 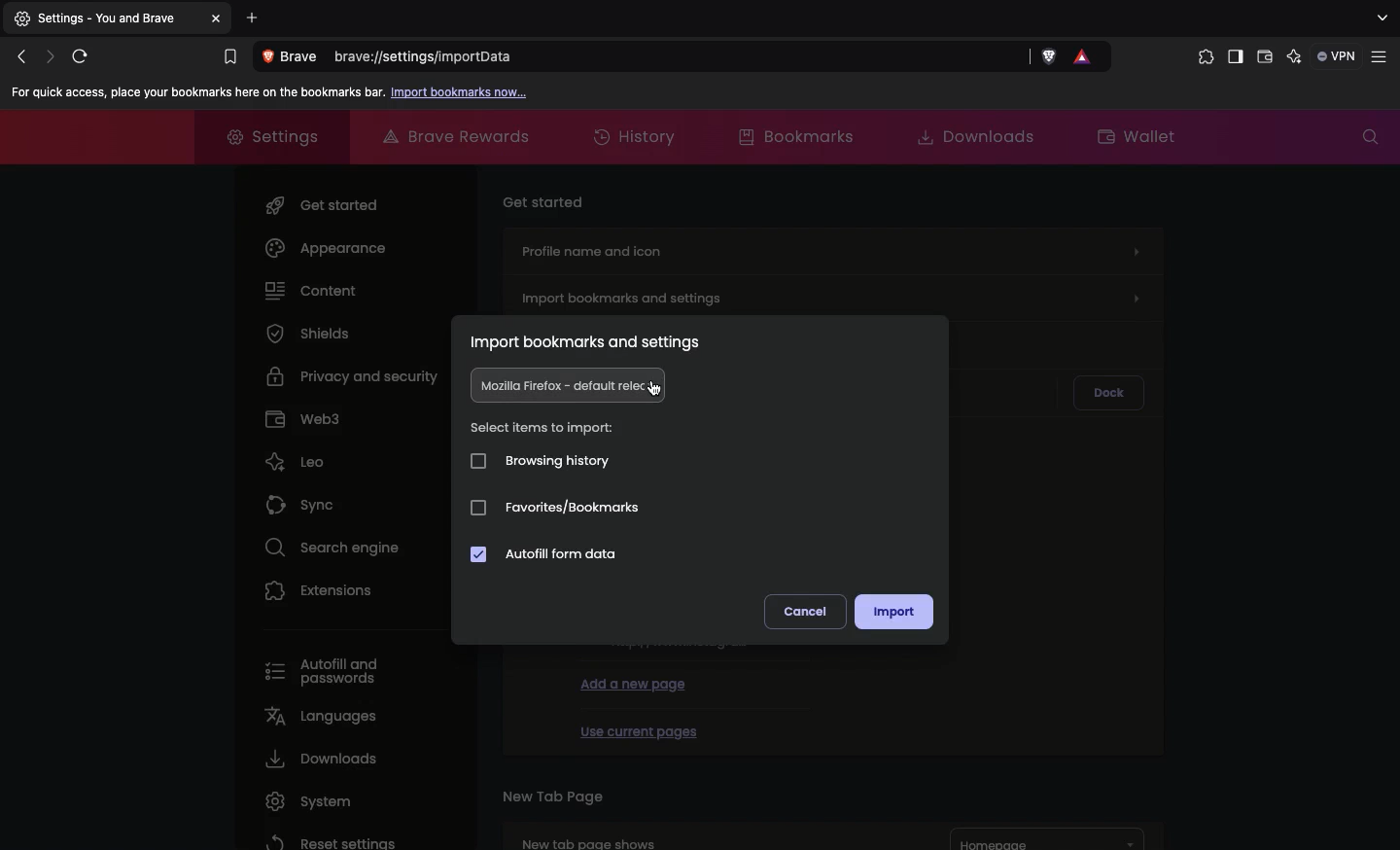 What do you see at coordinates (543, 461) in the screenshot?
I see `Browsing history` at bounding box center [543, 461].